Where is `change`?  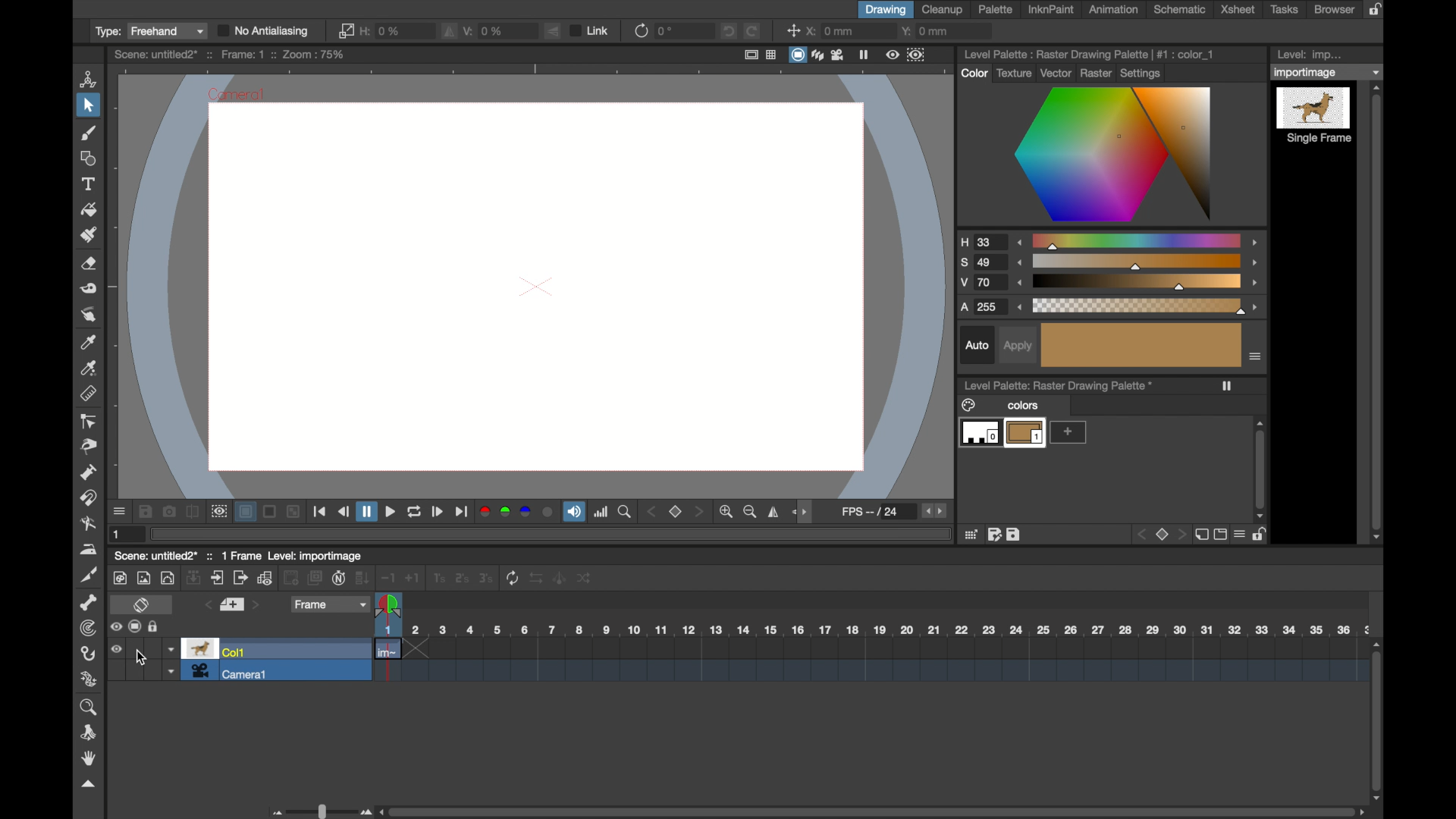 change is located at coordinates (586, 578).